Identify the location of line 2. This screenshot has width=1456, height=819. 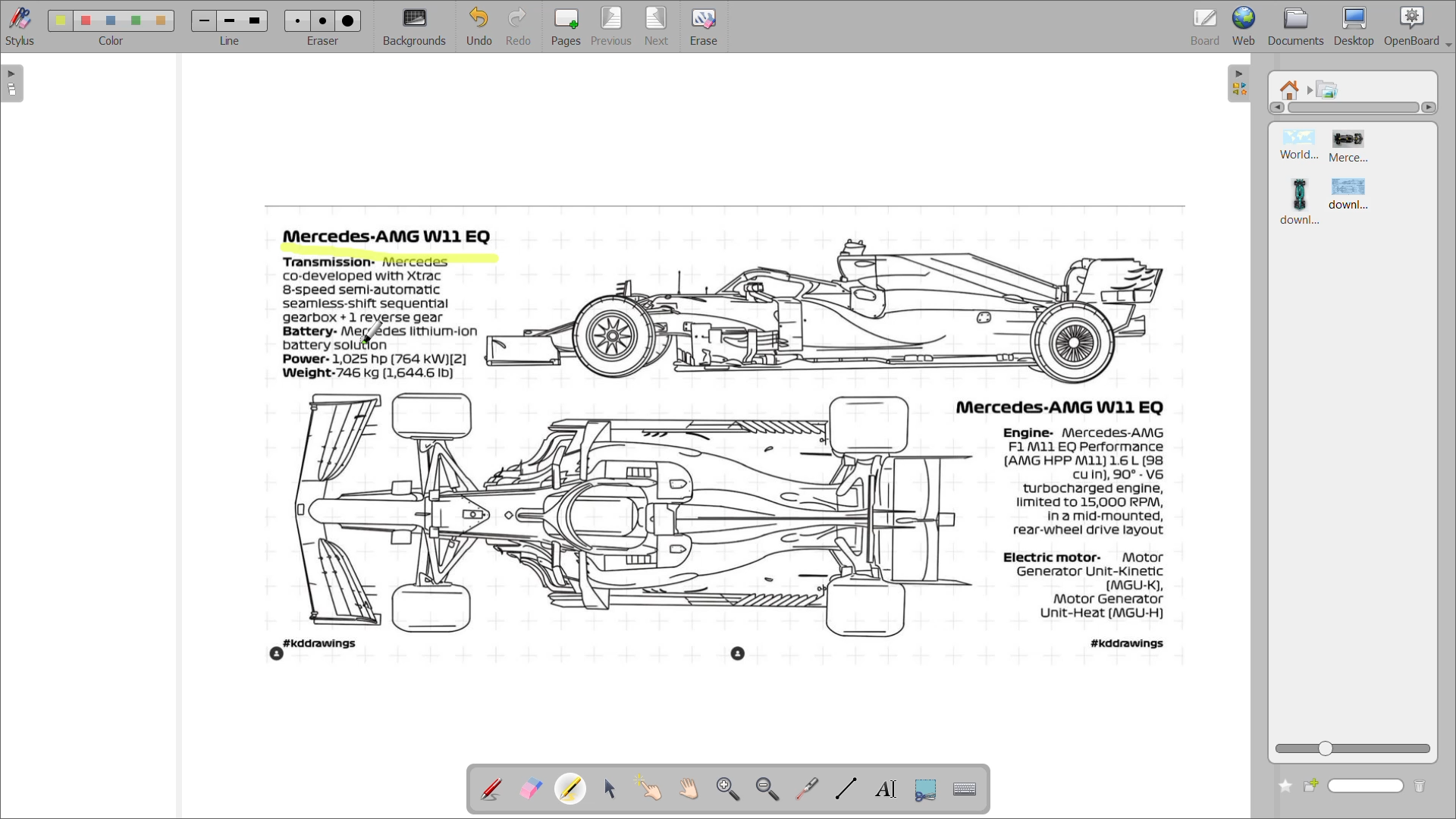
(231, 22).